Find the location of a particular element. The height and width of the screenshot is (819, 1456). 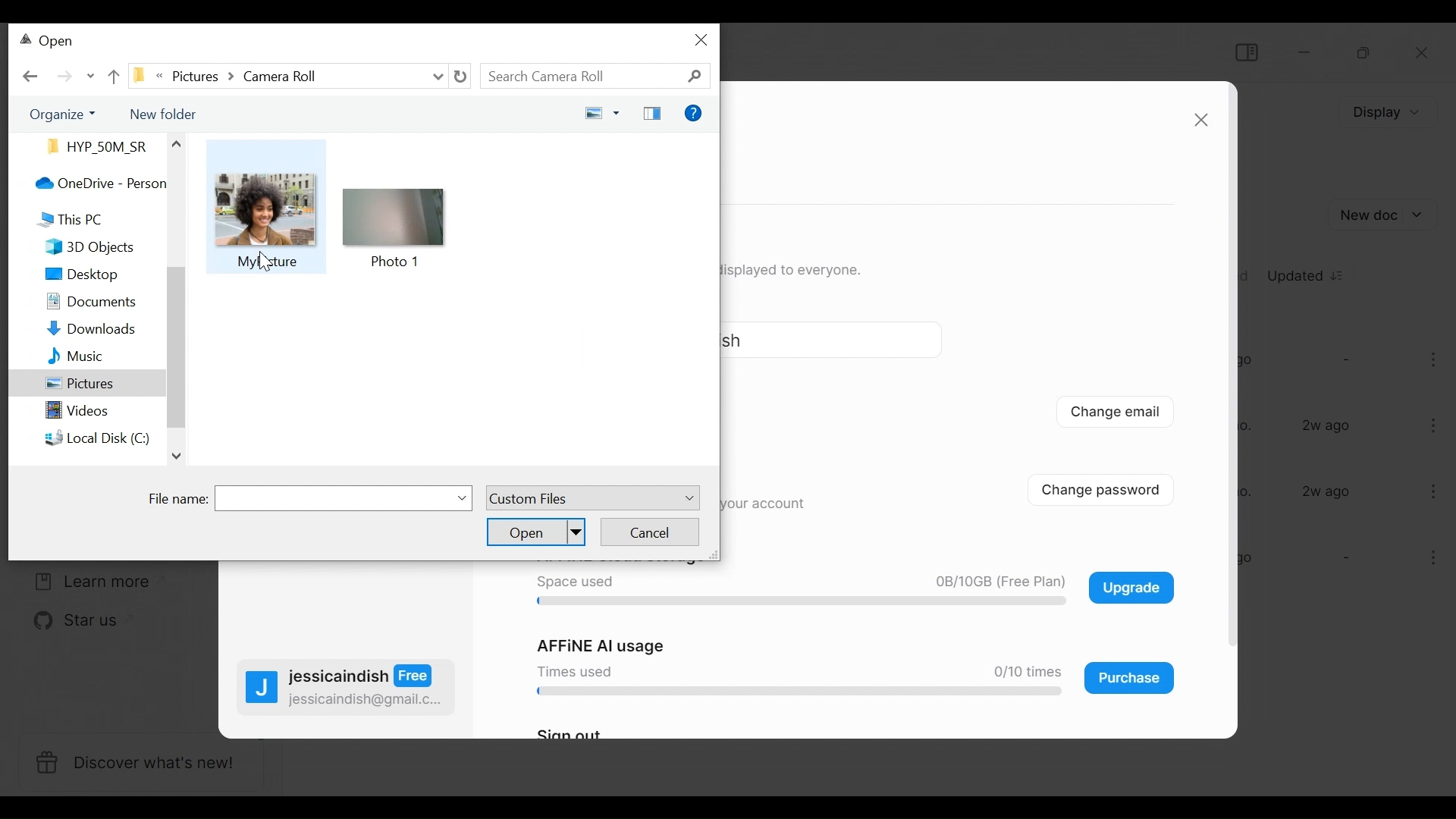

Times used is located at coordinates (571, 670).